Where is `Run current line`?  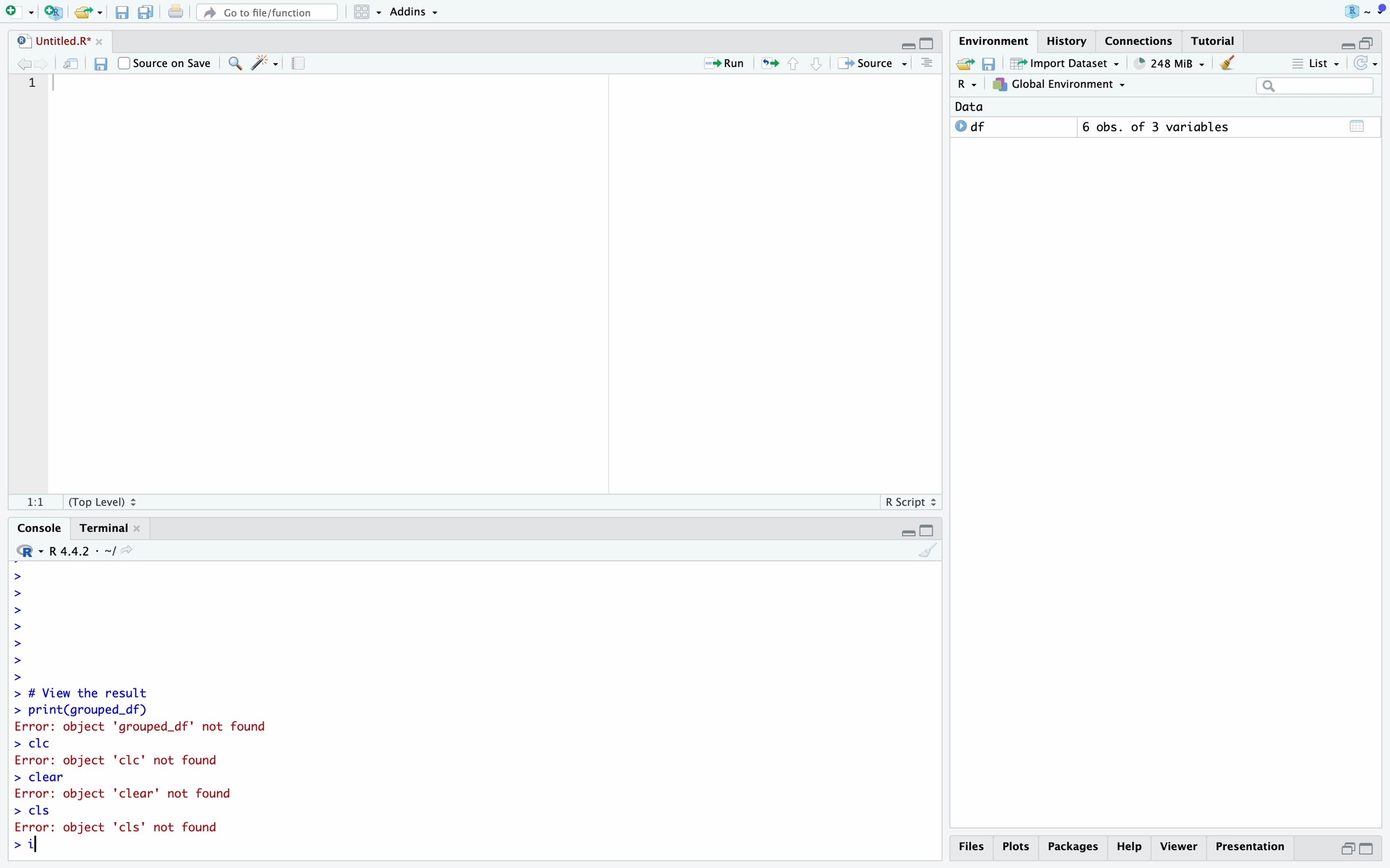
Run current line is located at coordinates (722, 64).